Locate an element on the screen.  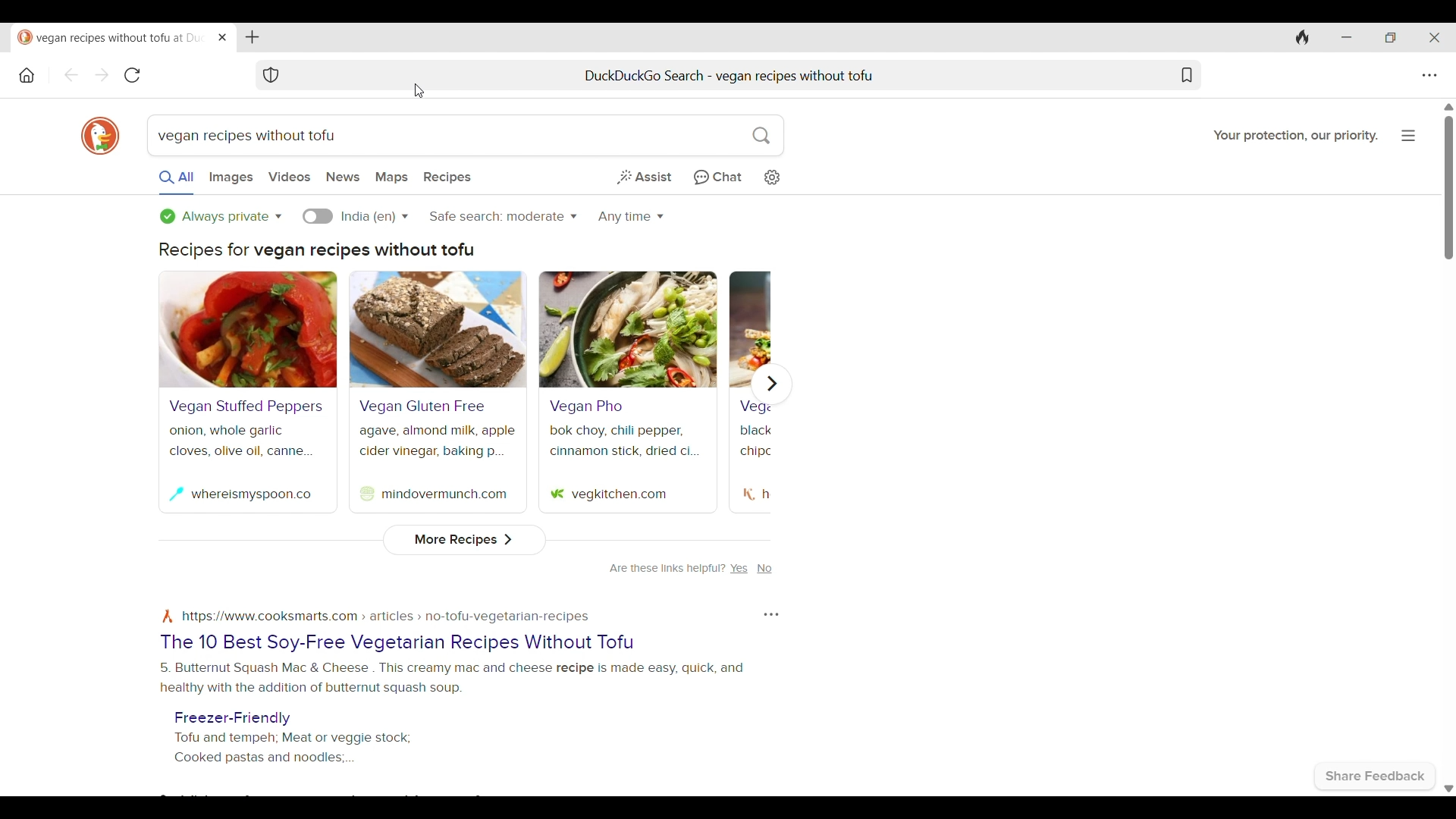
Share feedback to browser is located at coordinates (1376, 777).